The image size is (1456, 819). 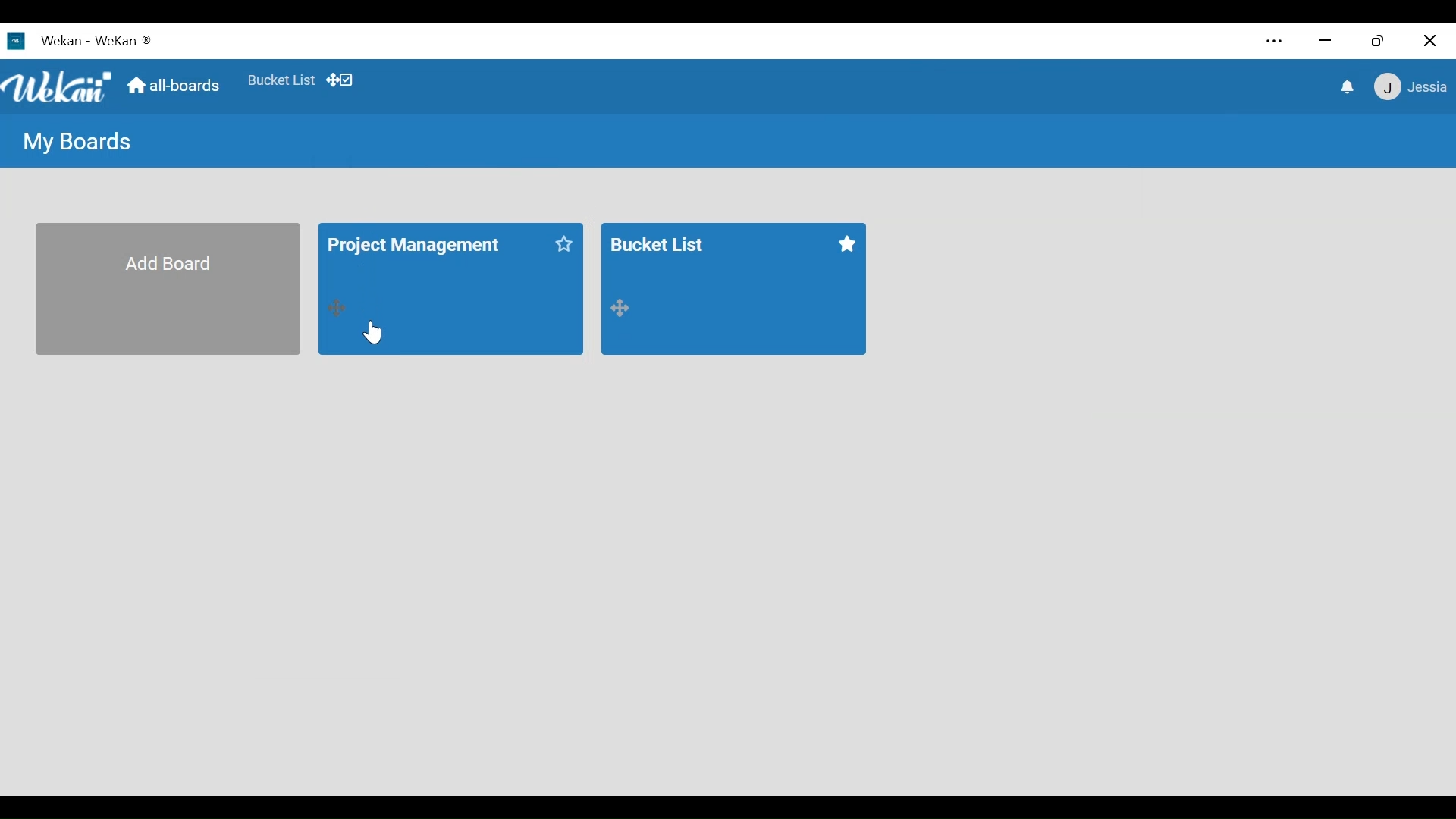 What do you see at coordinates (1327, 42) in the screenshot?
I see `minimize` at bounding box center [1327, 42].